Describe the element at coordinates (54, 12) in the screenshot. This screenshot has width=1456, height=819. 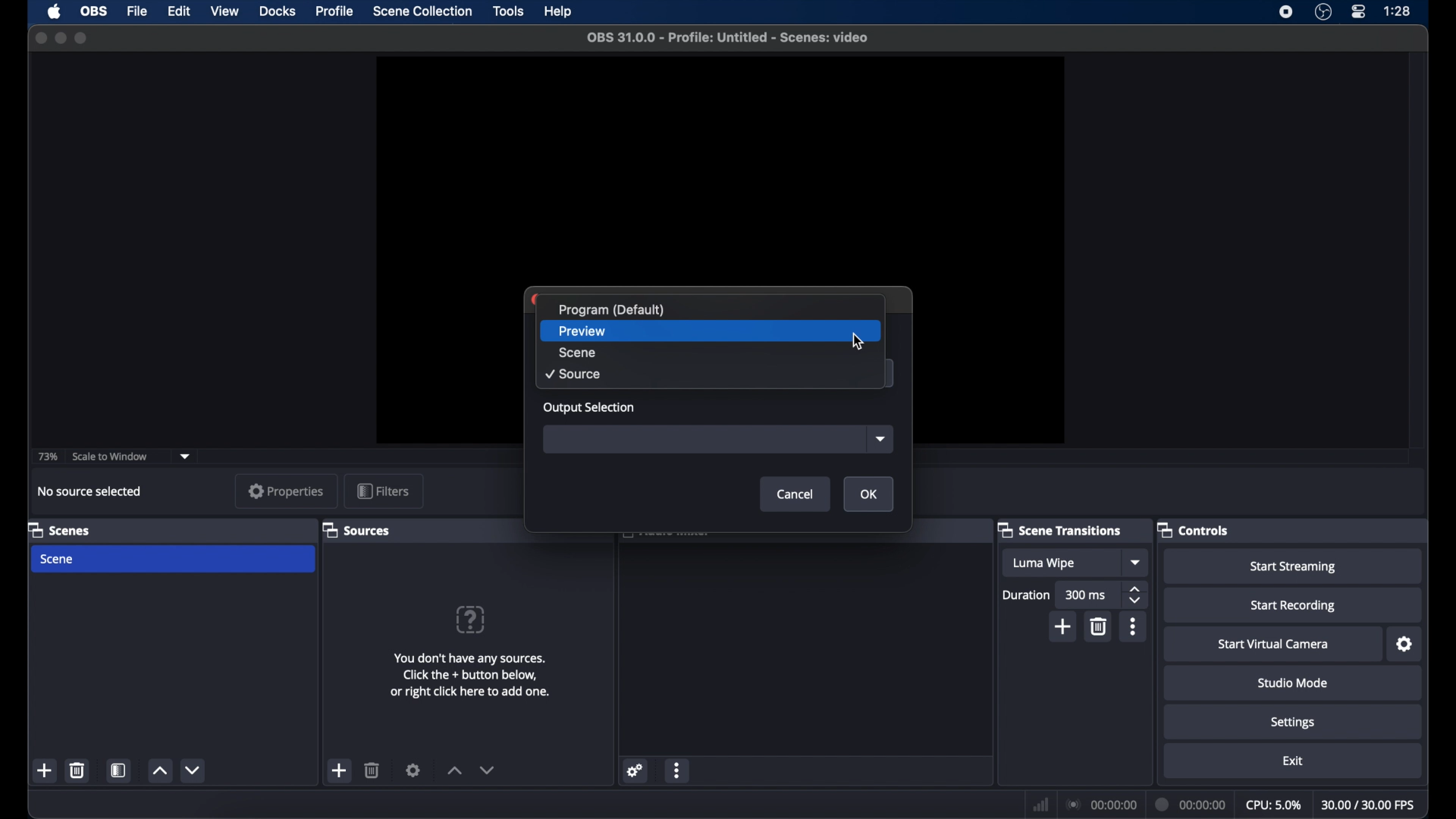
I see `apple icon` at that location.